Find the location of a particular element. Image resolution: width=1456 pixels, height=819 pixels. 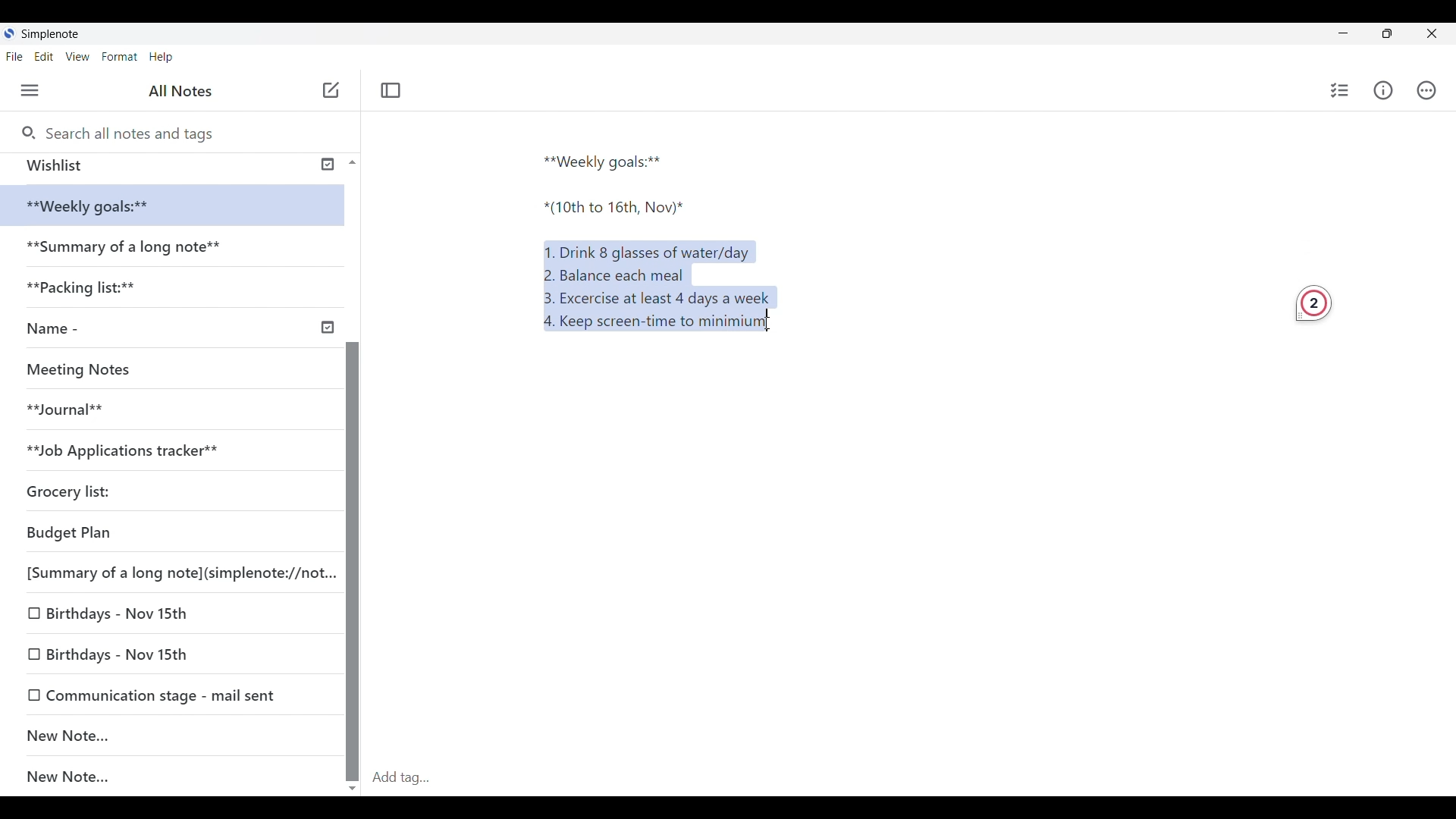

File is located at coordinates (17, 56).